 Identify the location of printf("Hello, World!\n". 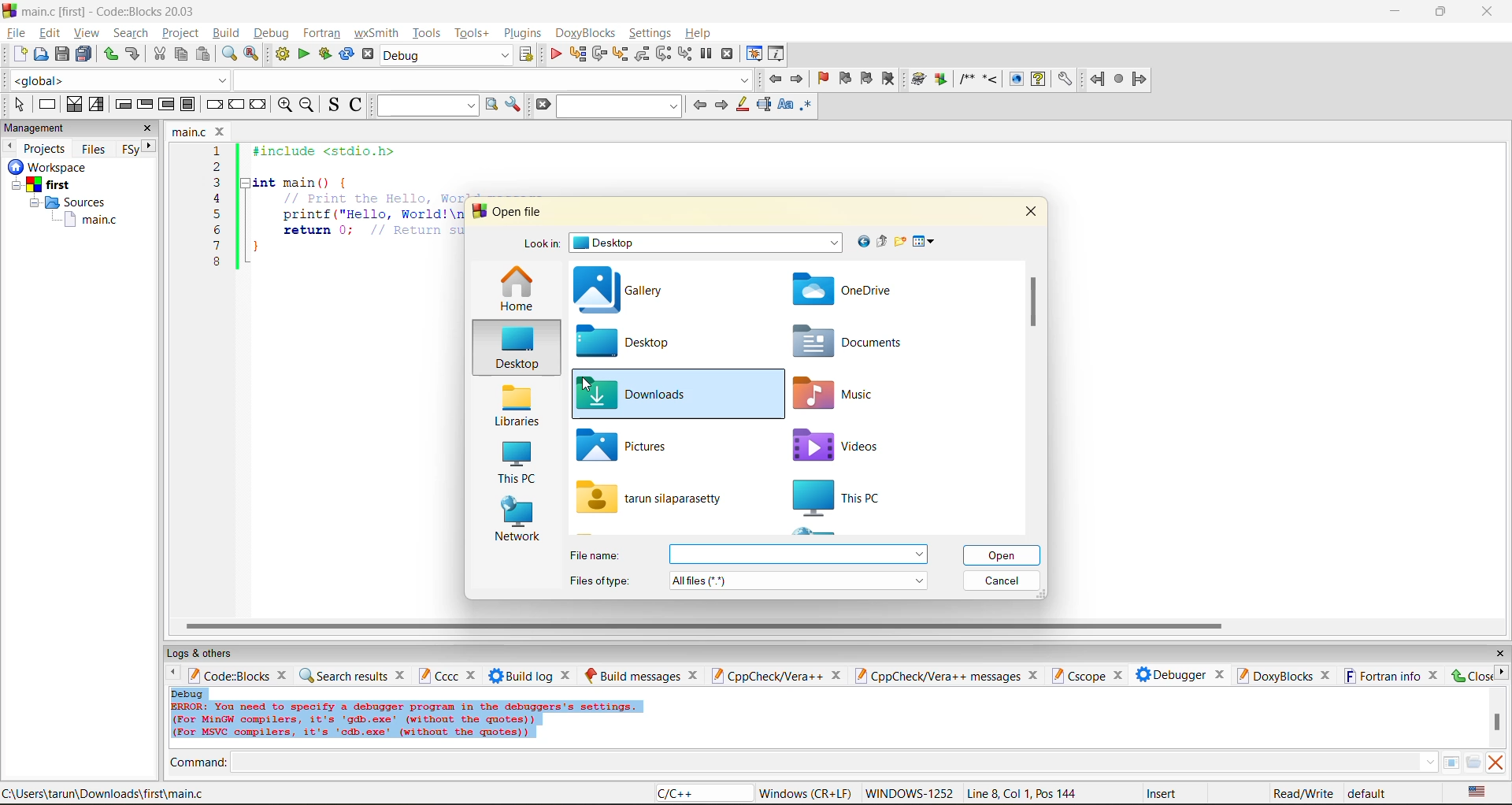
(372, 214).